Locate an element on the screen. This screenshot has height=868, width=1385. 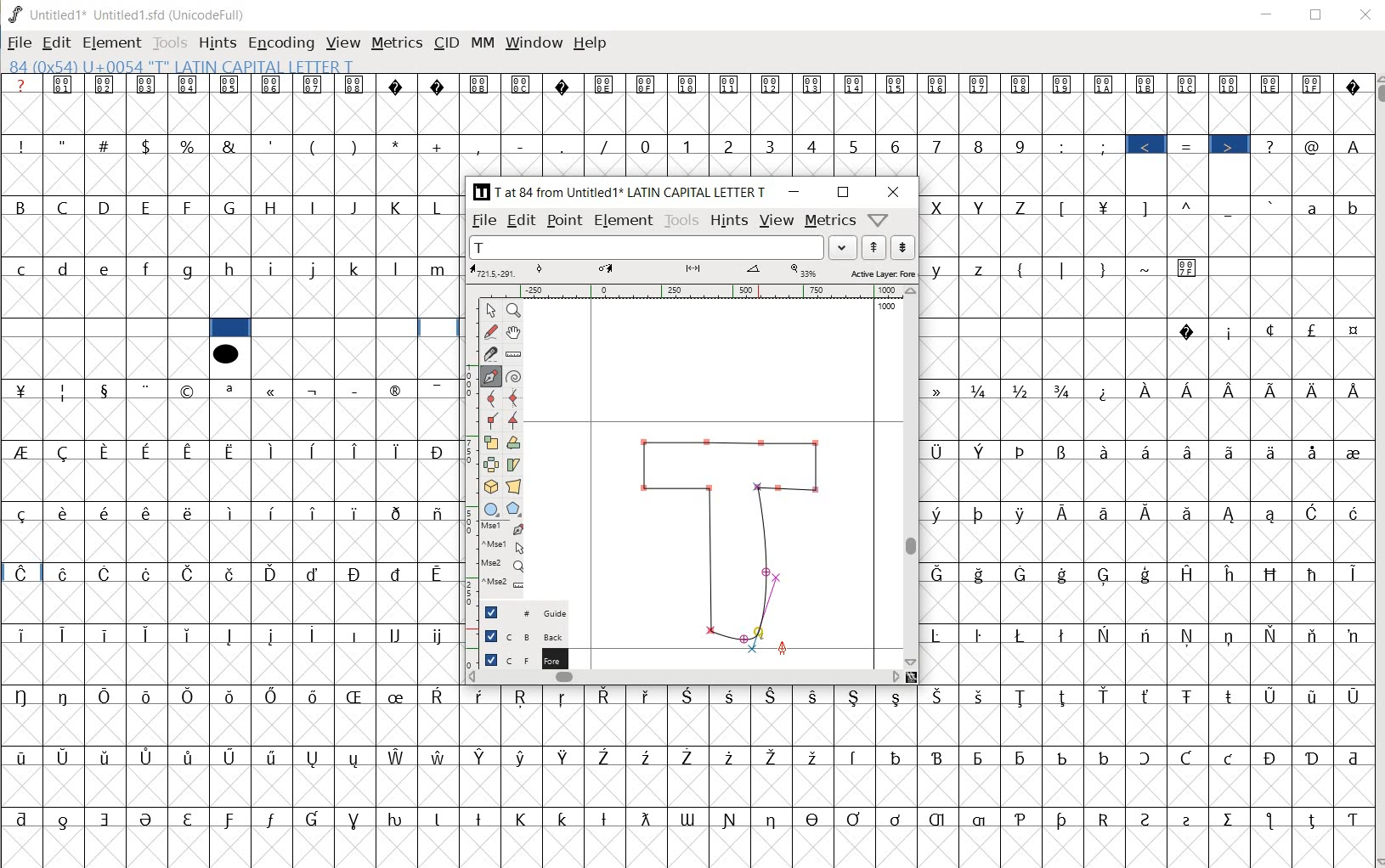
& is located at coordinates (229, 144).